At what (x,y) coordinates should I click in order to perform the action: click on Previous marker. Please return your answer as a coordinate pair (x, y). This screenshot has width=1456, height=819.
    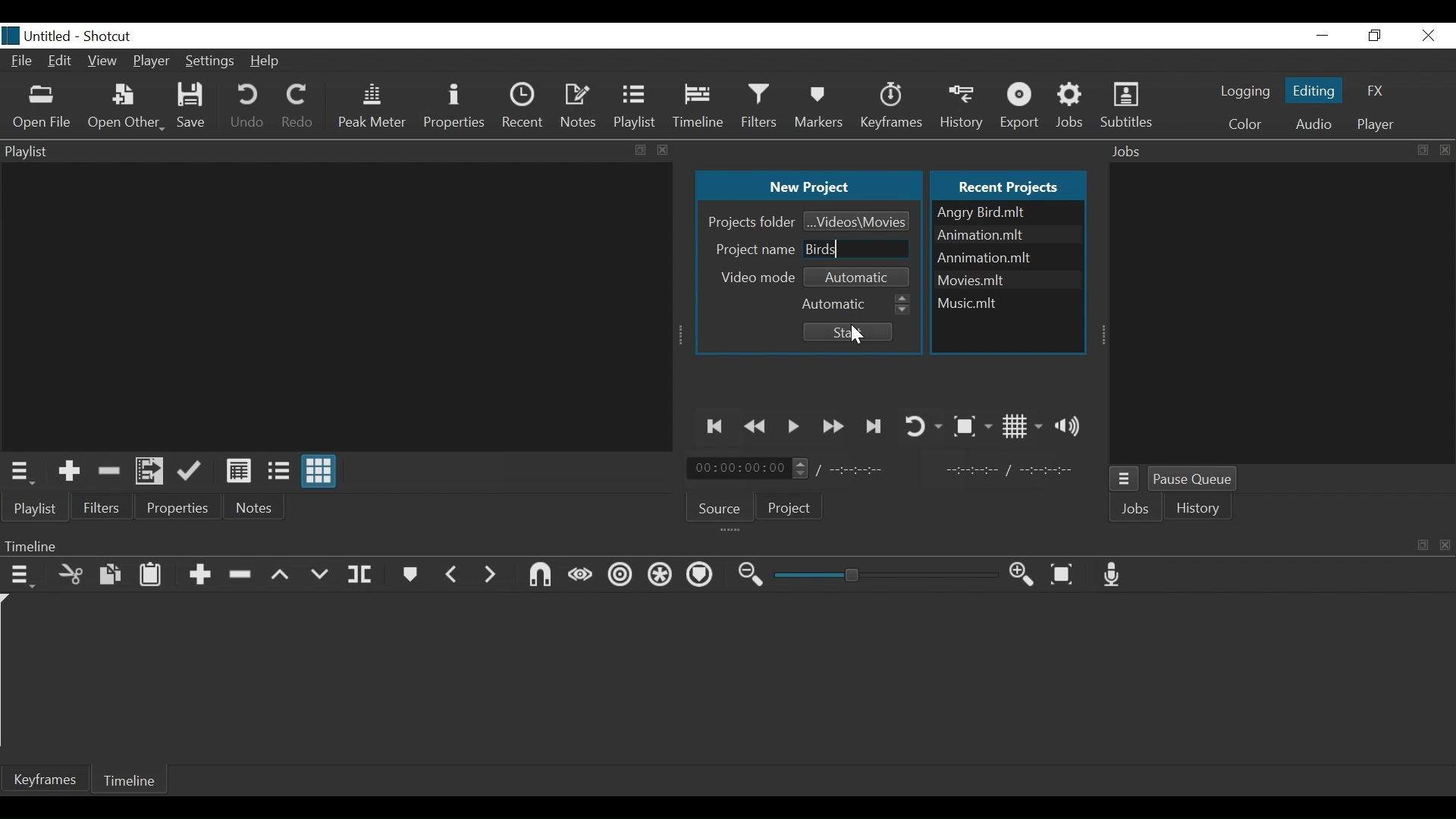
    Looking at the image, I should click on (452, 573).